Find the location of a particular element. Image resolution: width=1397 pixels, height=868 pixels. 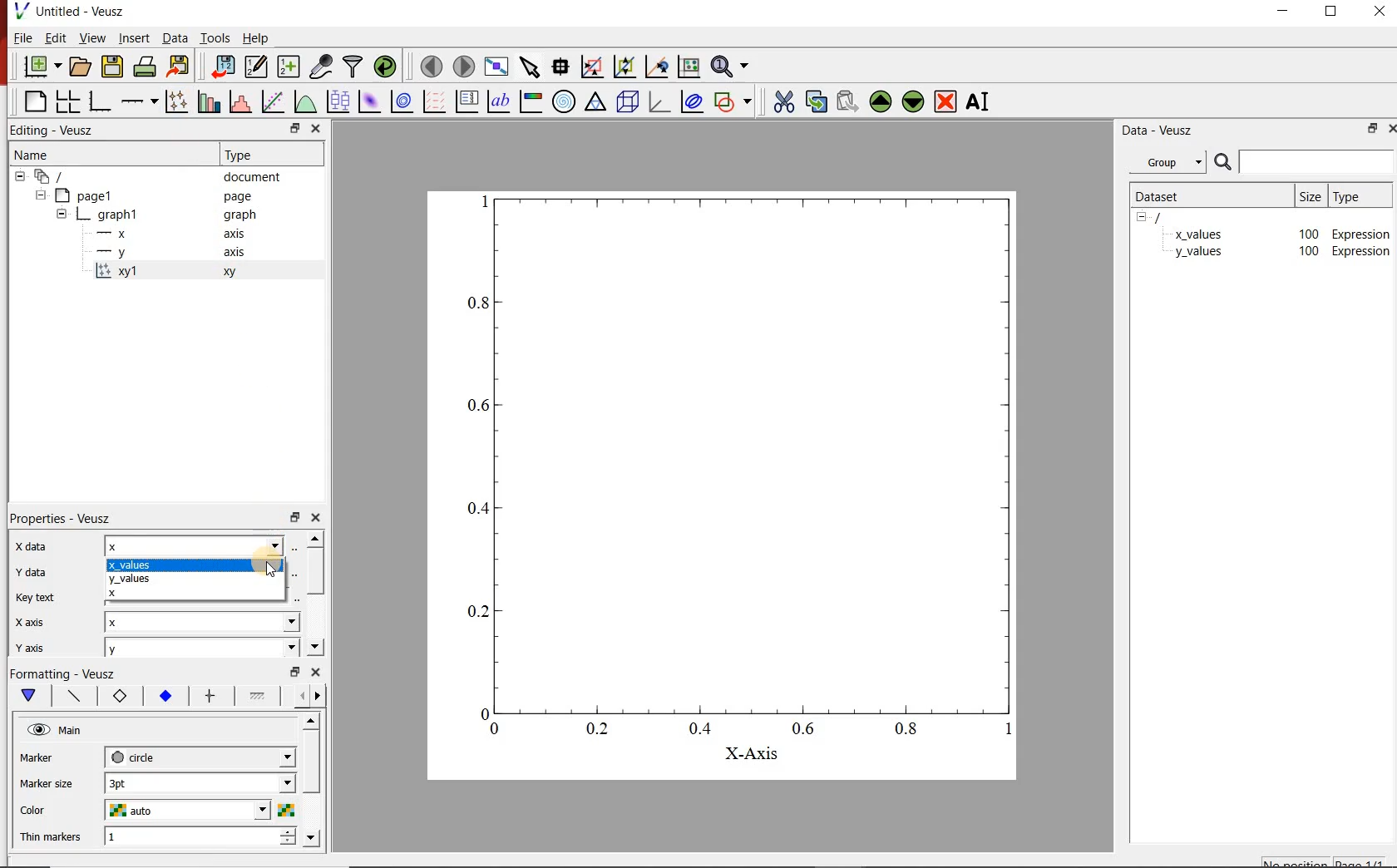

axis is located at coordinates (234, 253).